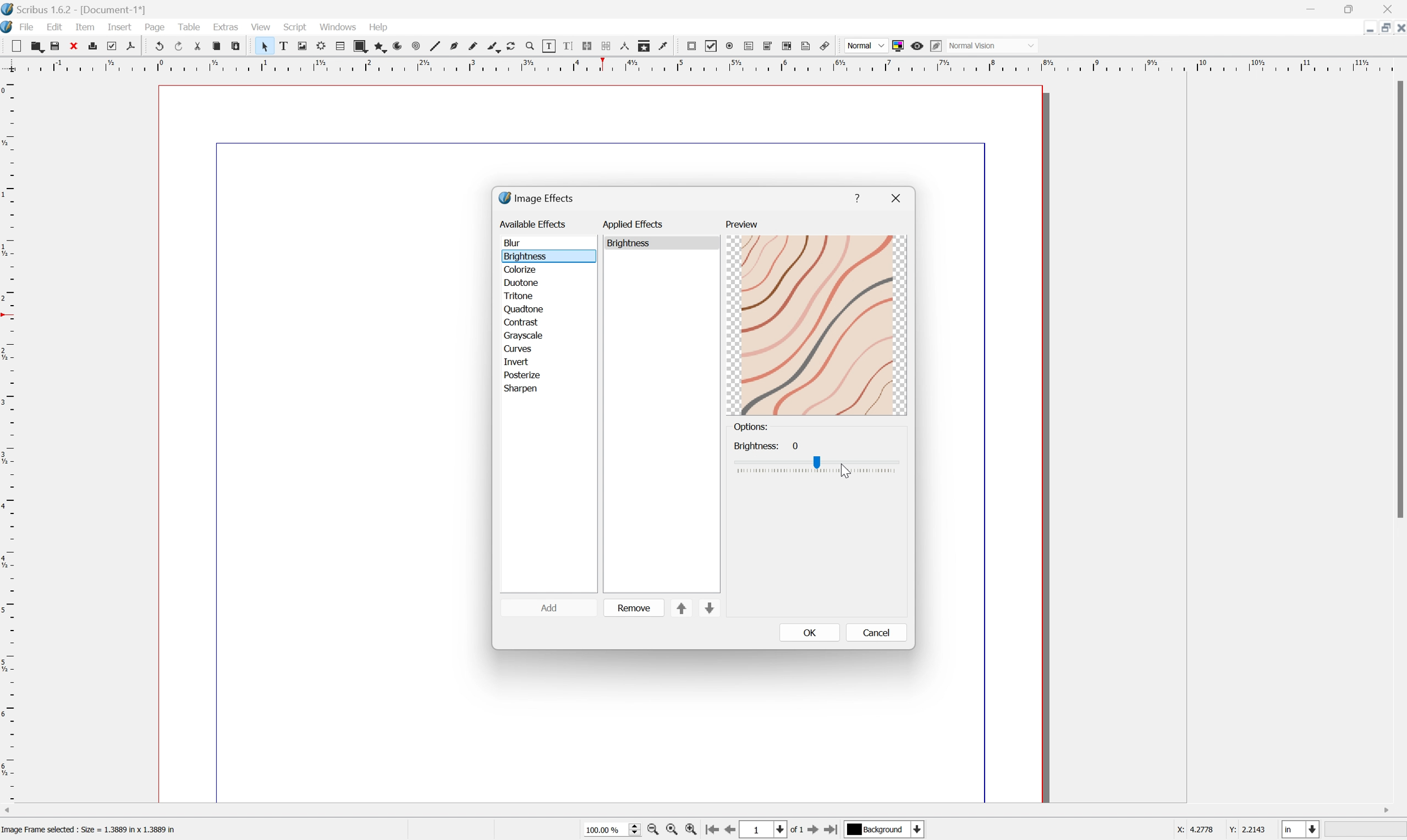  Describe the element at coordinates (301, 44) in the screenshot. I see `Image frame` at that location.